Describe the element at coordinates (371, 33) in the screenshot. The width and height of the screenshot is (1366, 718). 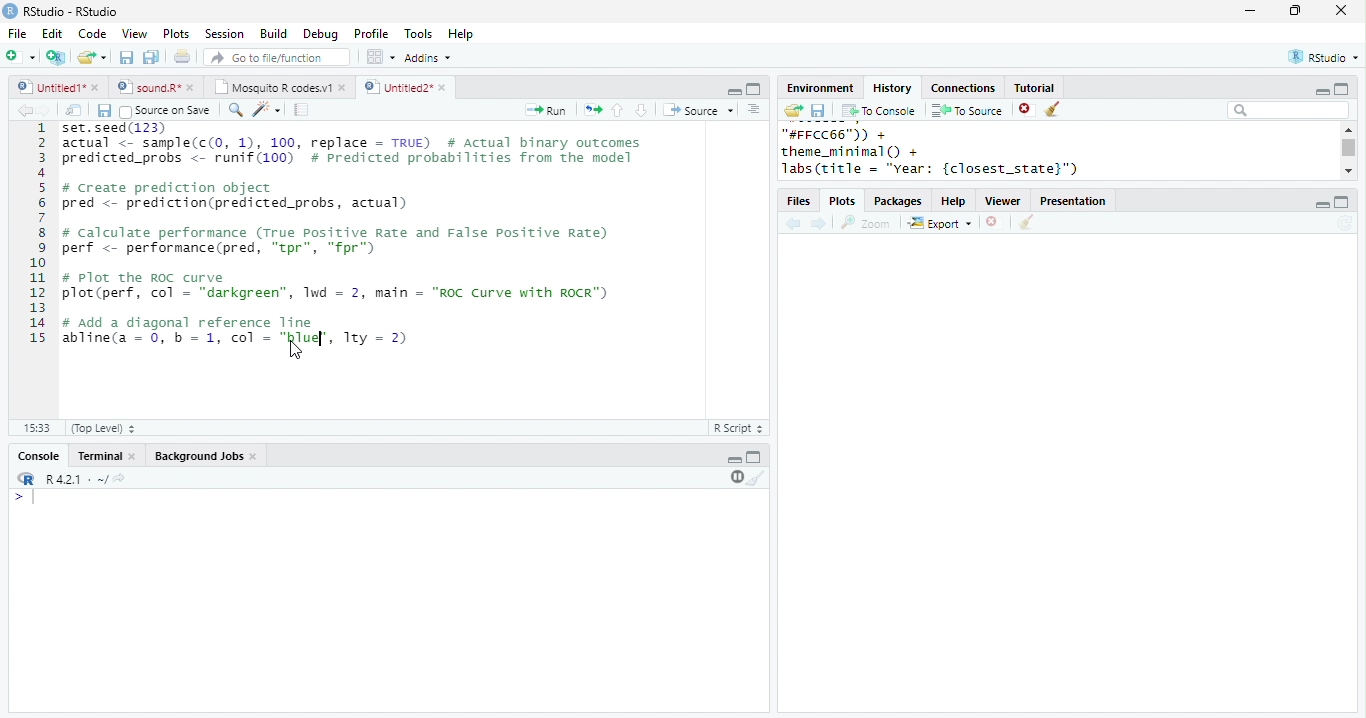
I see `Profile` at that location.